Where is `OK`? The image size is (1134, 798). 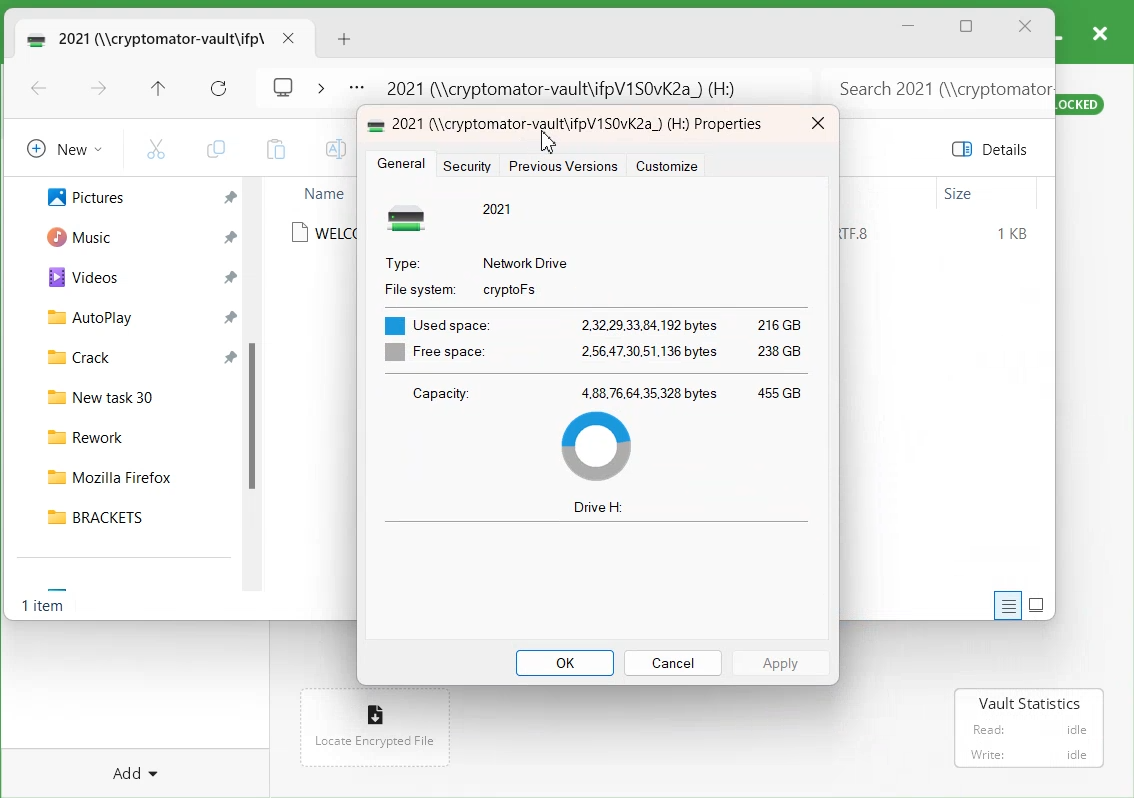
OK is located at coordinates (565, 663).